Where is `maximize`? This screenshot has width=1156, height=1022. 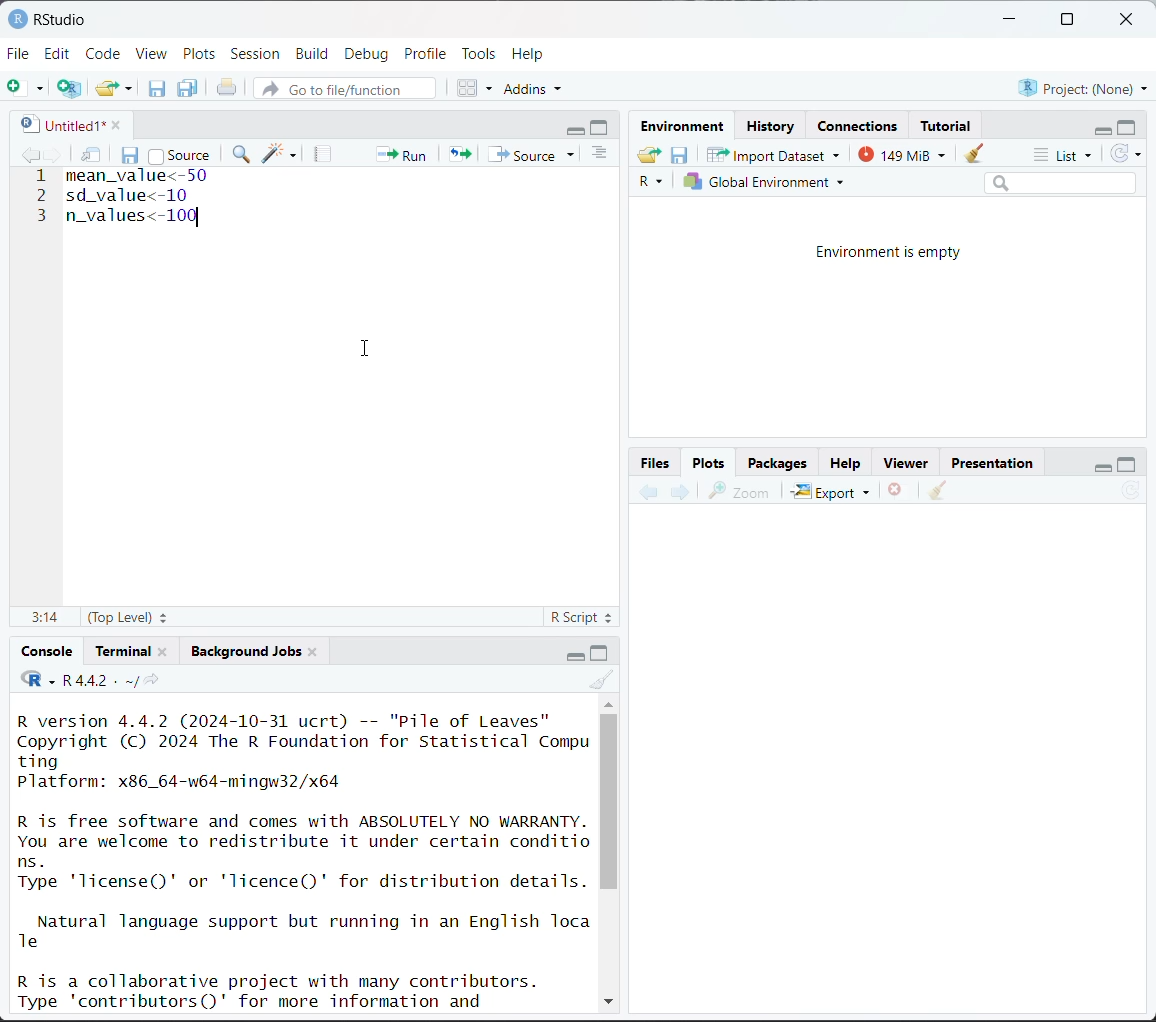
maximize is located at coordinates (1127, 463).